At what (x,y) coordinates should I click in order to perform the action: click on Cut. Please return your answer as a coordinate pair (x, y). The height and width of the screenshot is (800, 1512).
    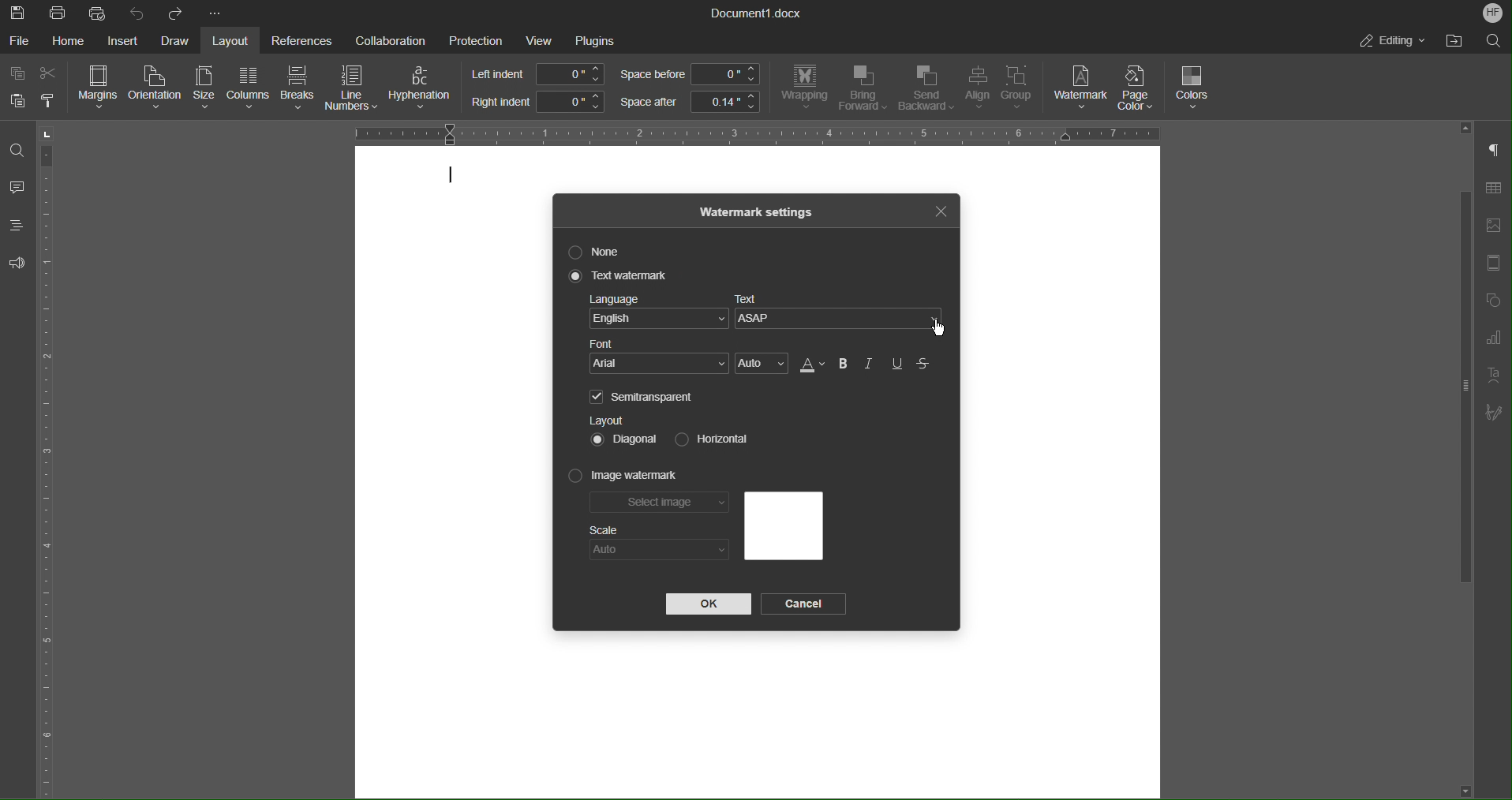
    Looking at the image, I should click on (51, 73).